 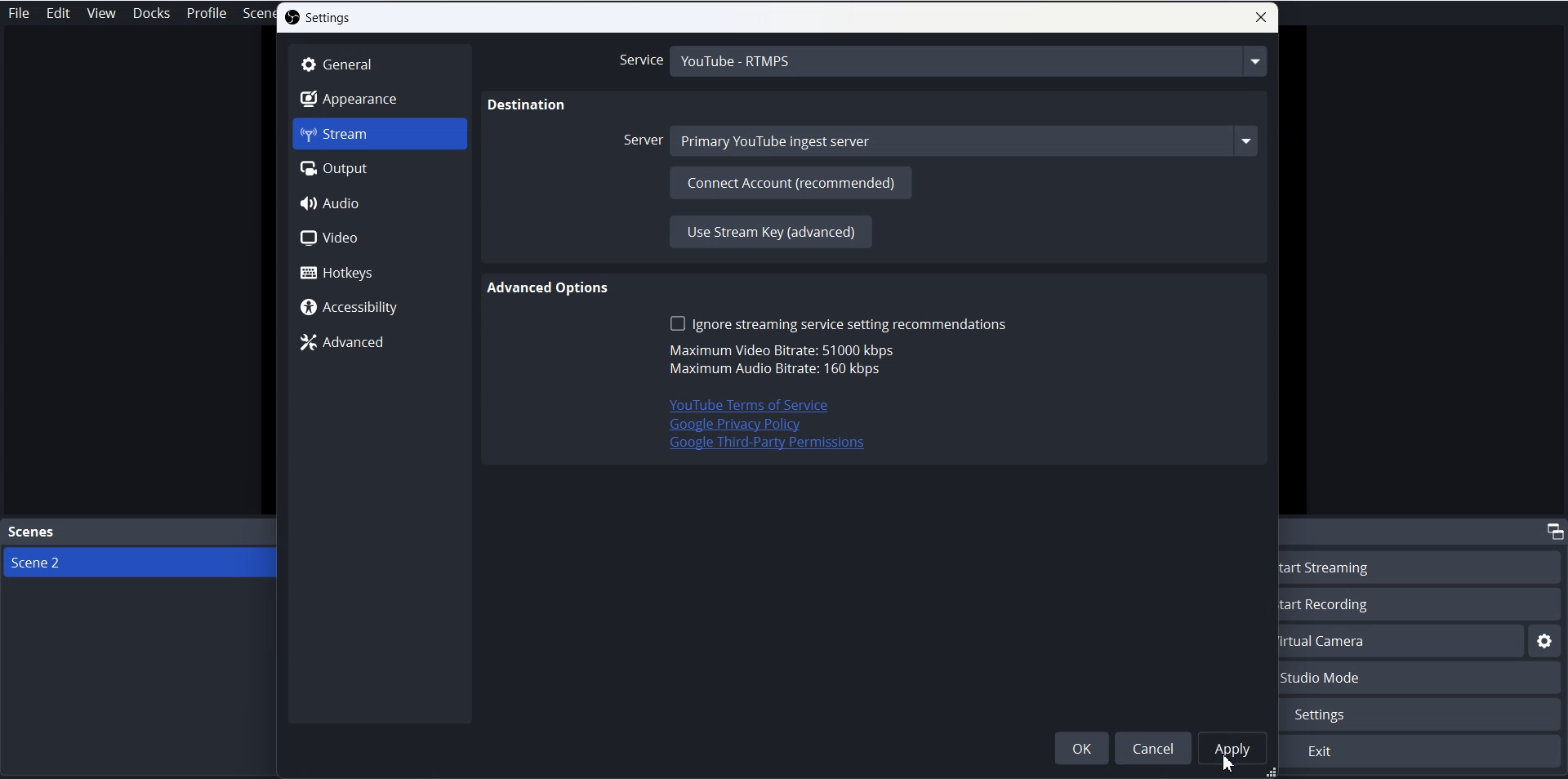 What do you see at coordinates (380, 98) in the screenshot?
I see `Appearance` at bounding box center [380, 98].